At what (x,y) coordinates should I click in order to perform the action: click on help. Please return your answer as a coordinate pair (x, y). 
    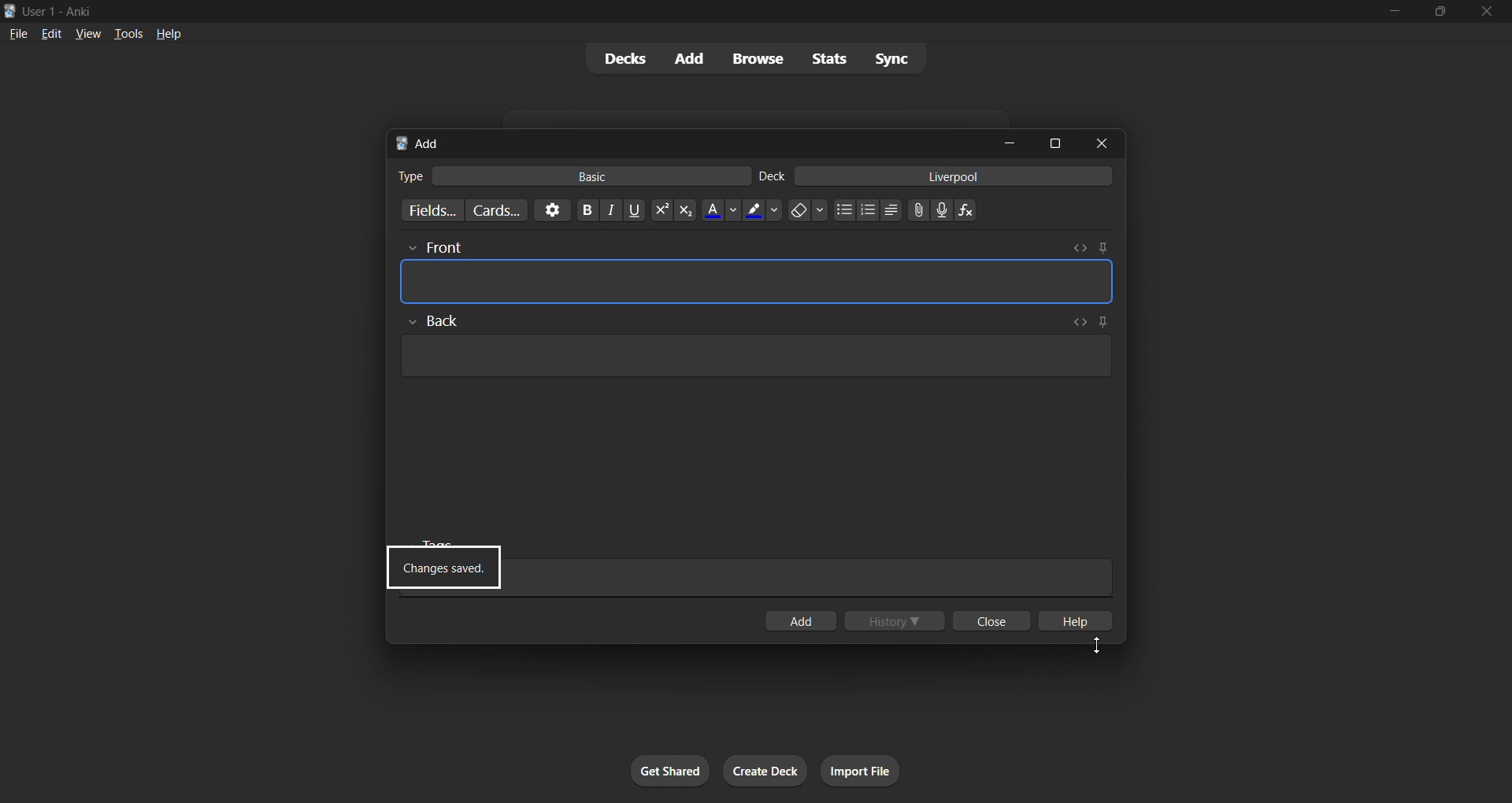
    Looking at the image, I should click on (1077, 622).